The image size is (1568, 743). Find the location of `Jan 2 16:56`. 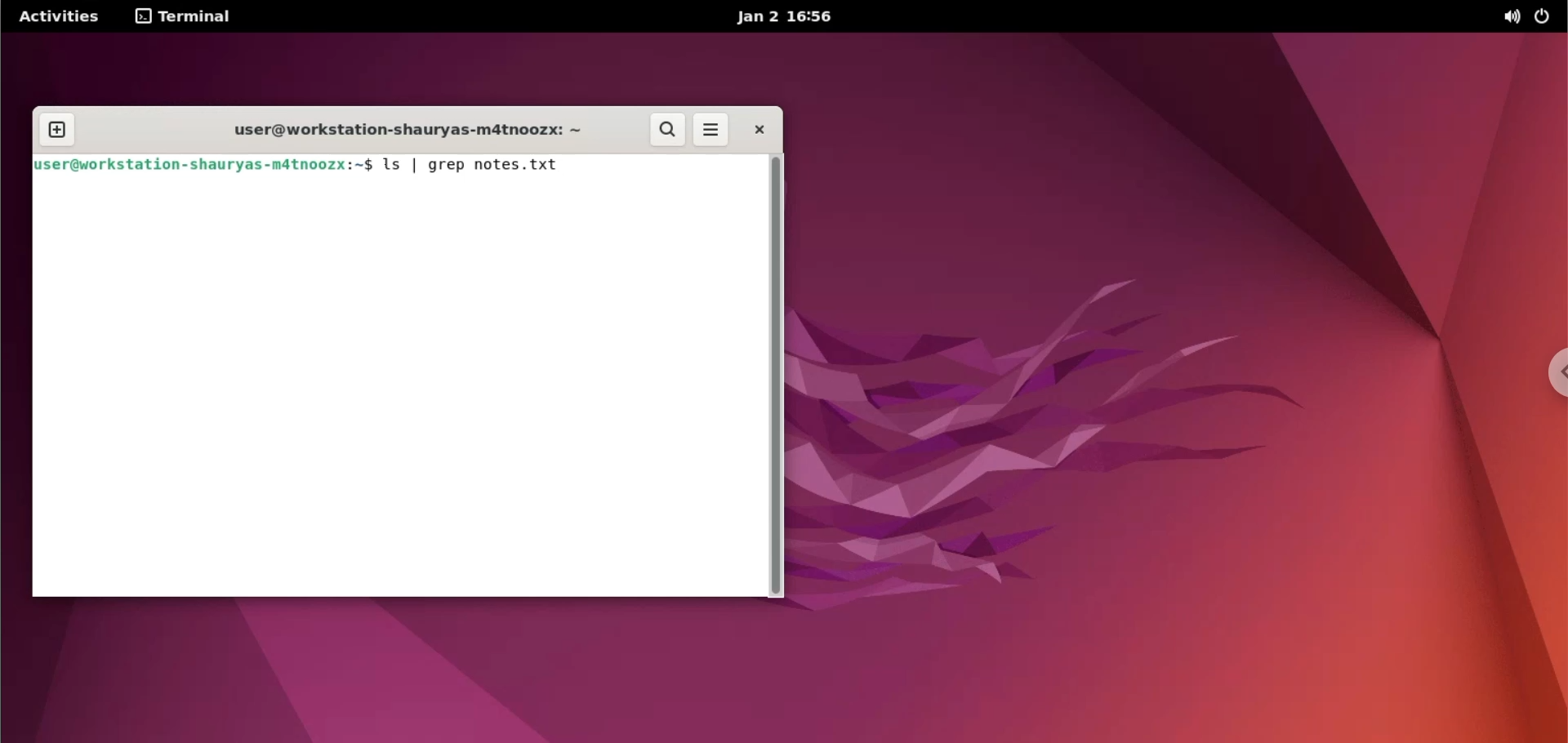

Jan 2 16:56 is located at coordinates (786, 20).